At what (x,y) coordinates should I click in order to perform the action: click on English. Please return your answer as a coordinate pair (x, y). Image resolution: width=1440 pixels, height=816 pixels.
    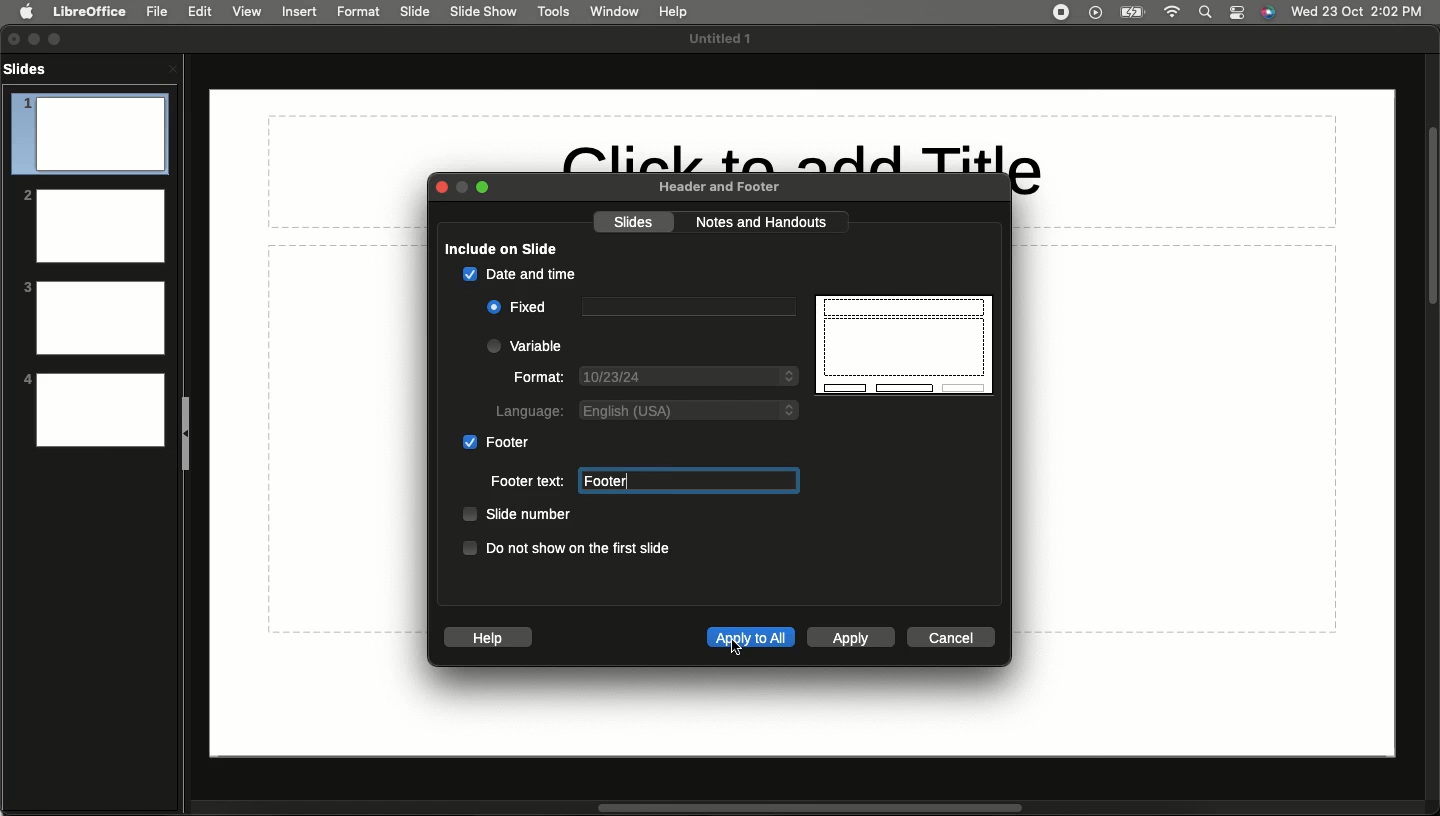
    Looking at the image, I should click on (690, 409).